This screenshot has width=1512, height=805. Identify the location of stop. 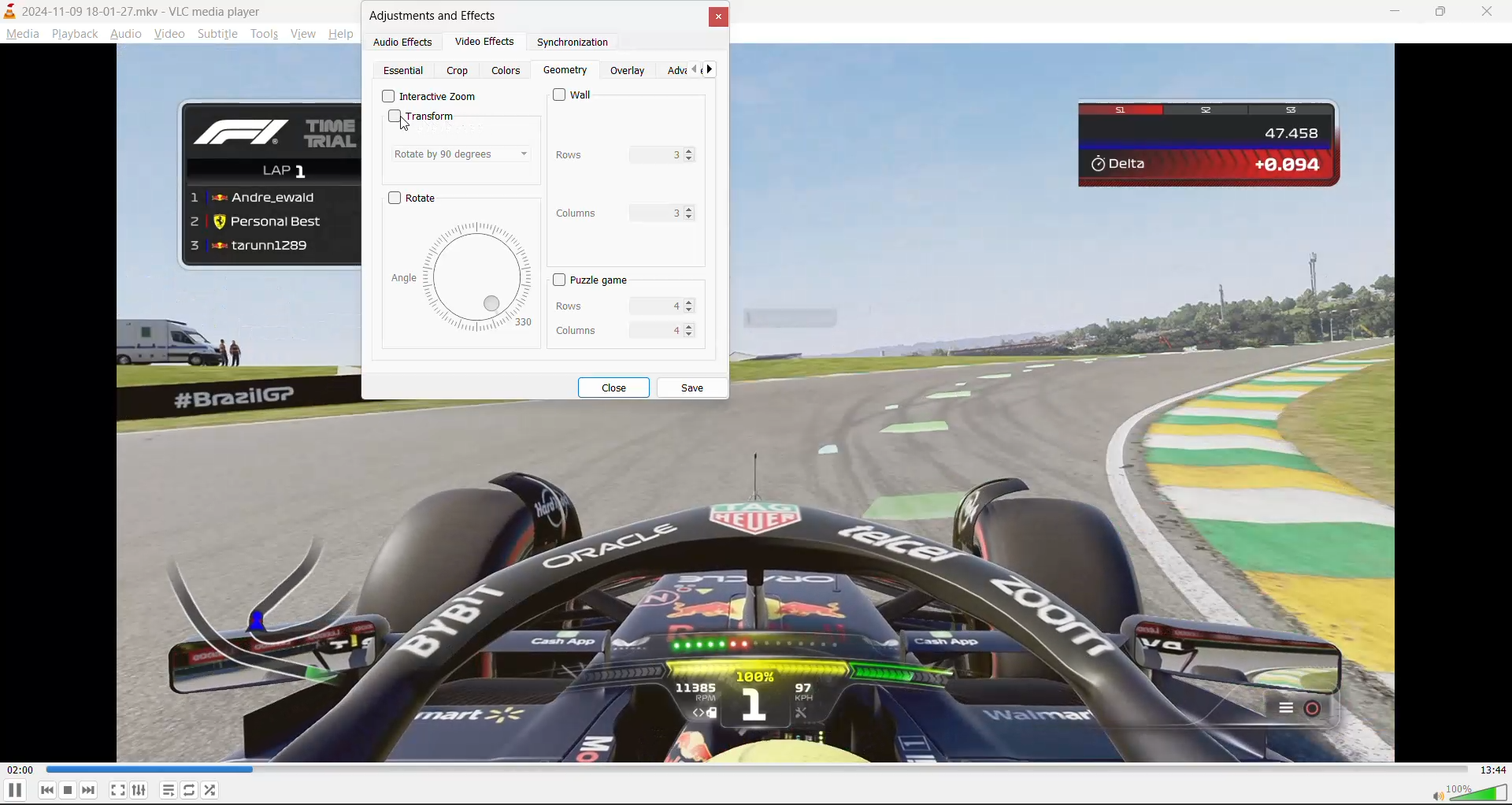
(69, 790).